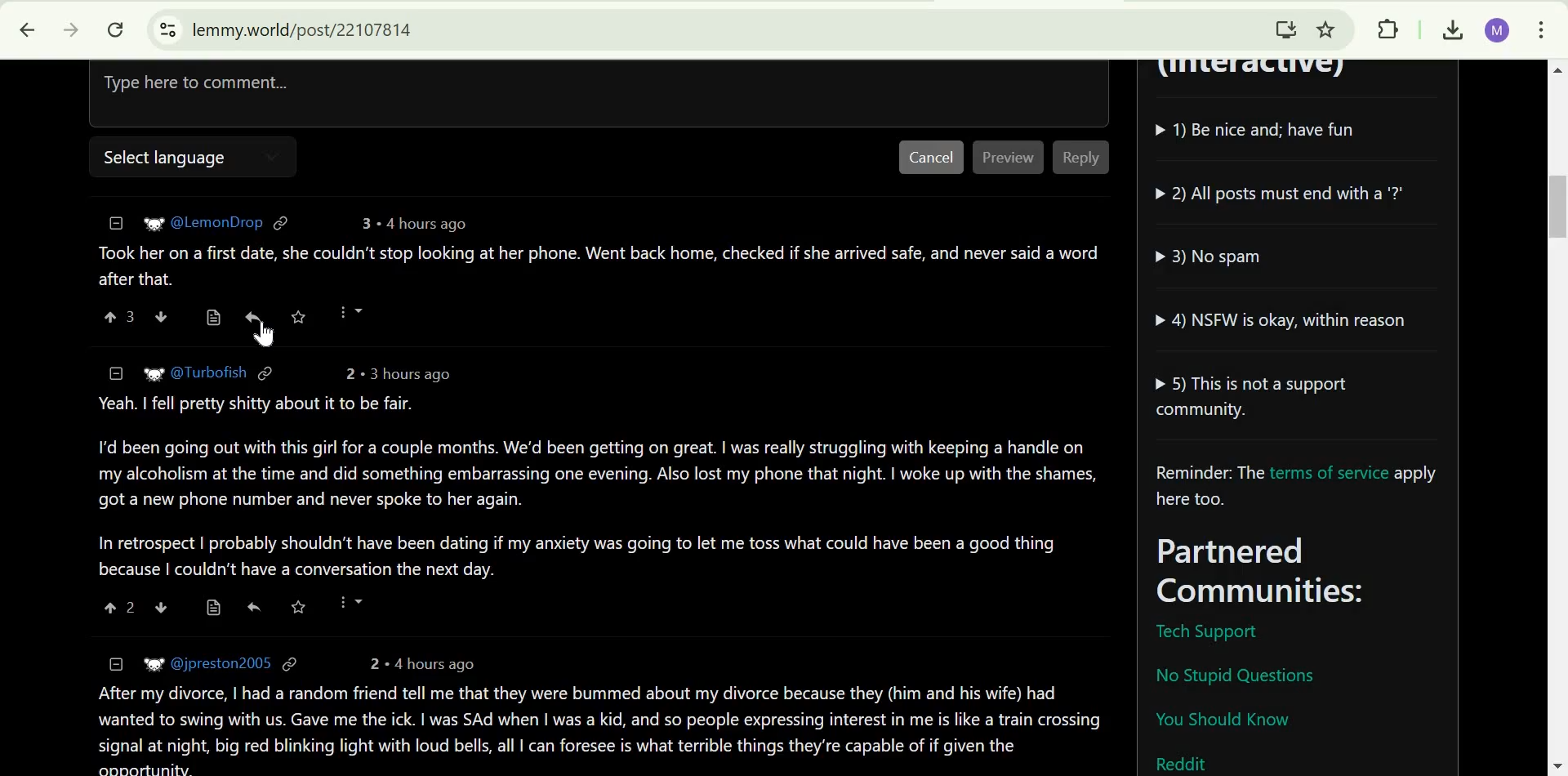 This screenshot has height=776, width=1568. Describe the element at coordinates (155, 662) in the screenshot. I see `picture` at that location.